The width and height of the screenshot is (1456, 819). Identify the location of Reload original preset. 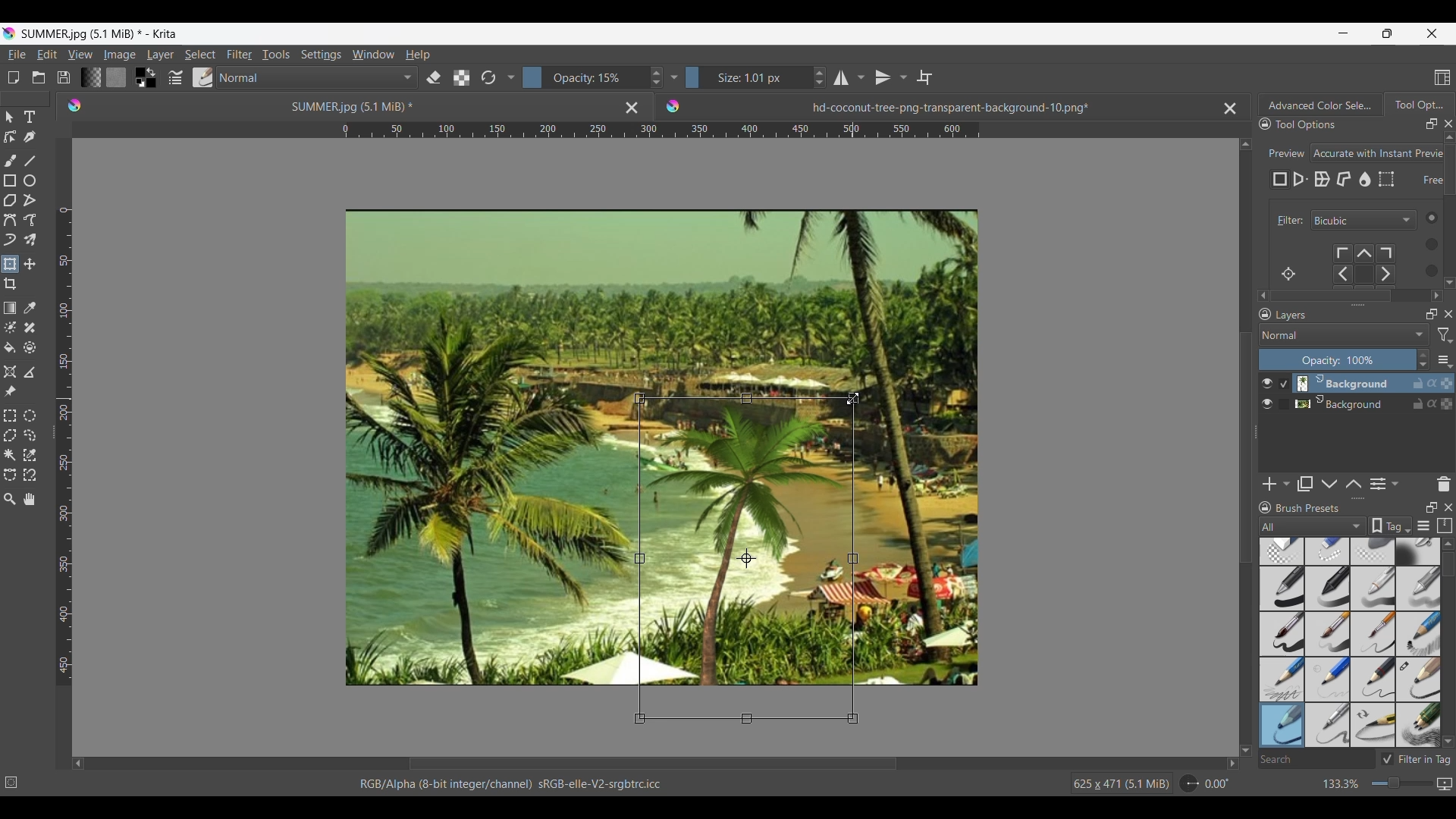
(488, 77).